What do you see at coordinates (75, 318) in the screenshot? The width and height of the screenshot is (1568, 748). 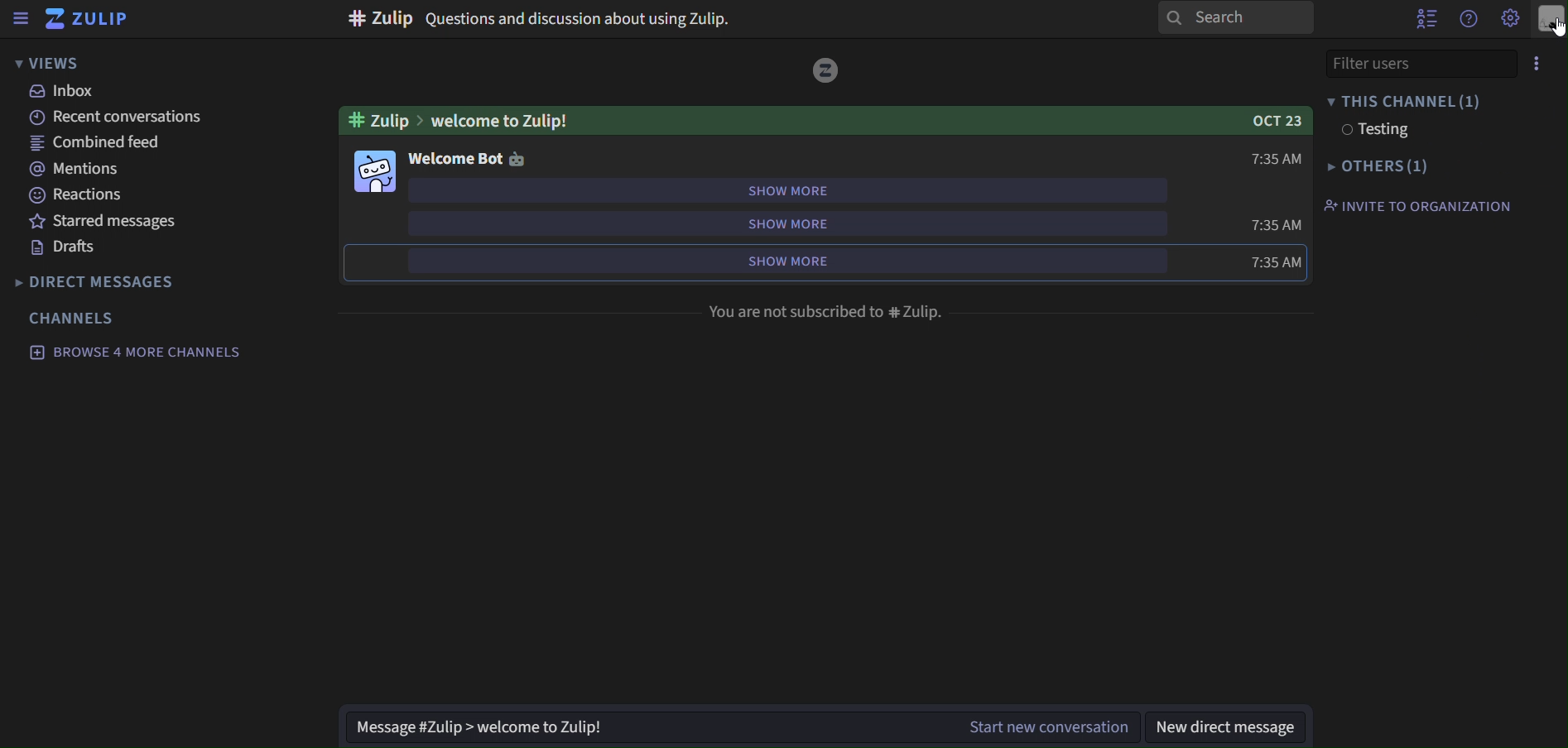 I see `channels` at bounding box center [75, 318].